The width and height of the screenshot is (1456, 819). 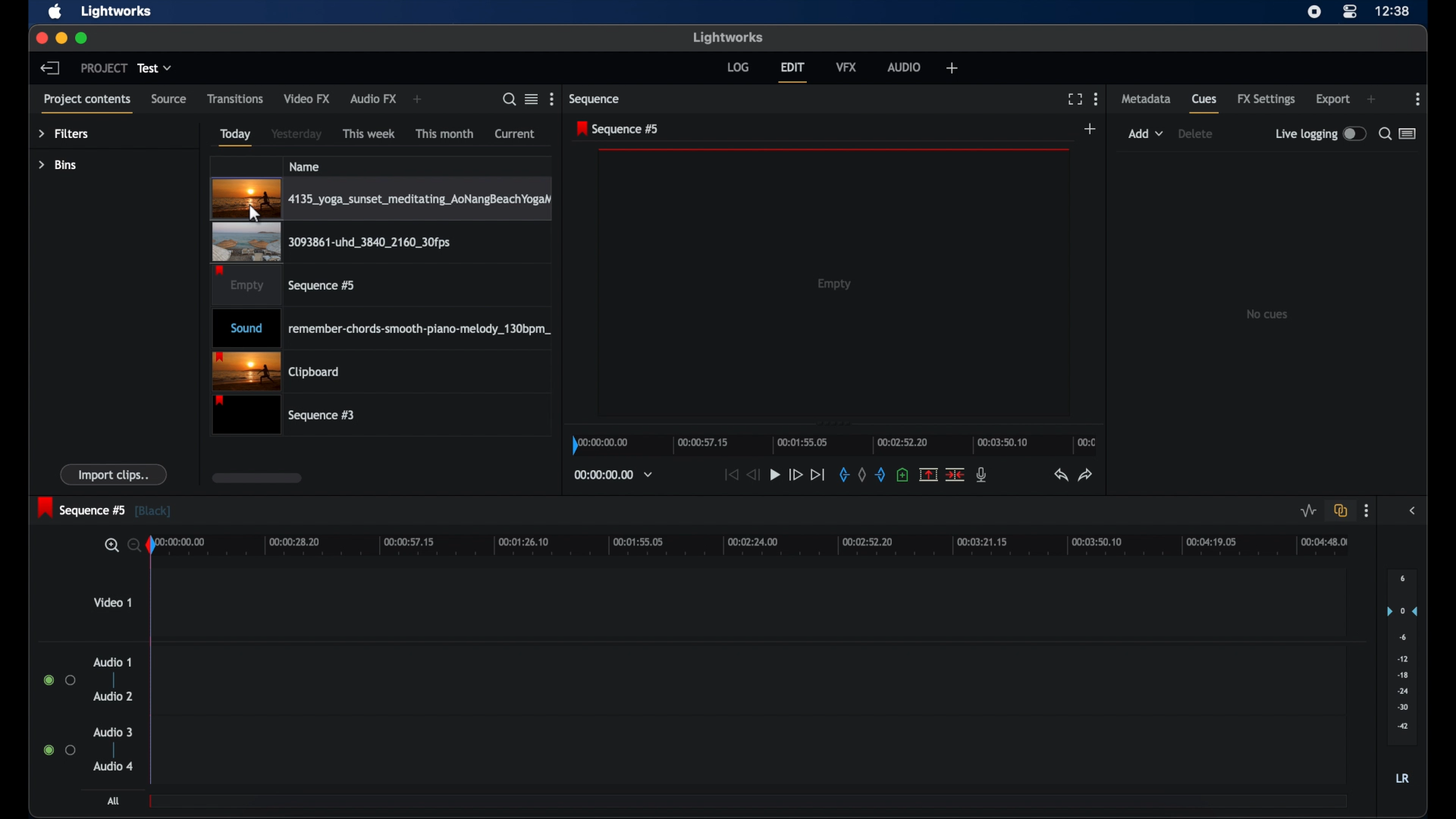 I want to click on timeline  scale, so click(x=833, y=443).